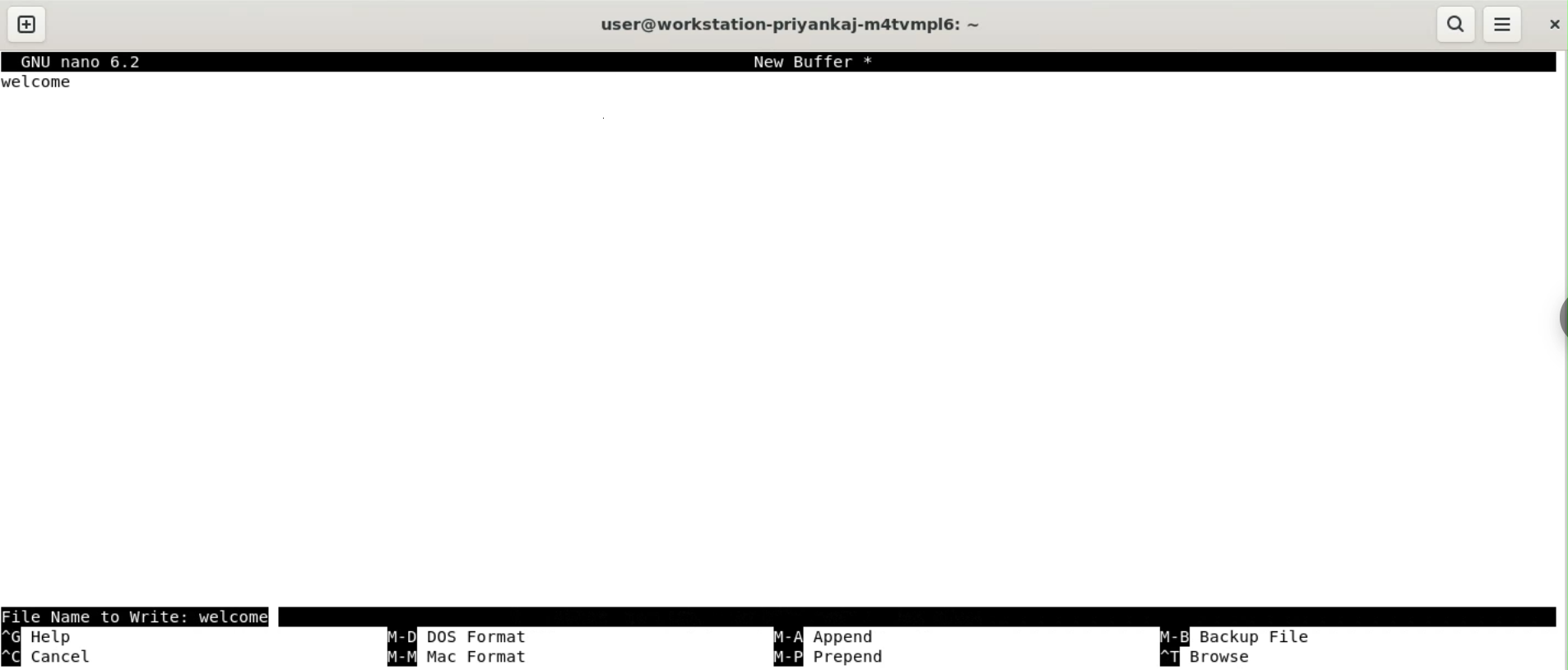 The image size is (1568, 670). What do you see at coordinates (28, 23) in the screenshot?
I see `new tab` at bounding box center [28, 23].